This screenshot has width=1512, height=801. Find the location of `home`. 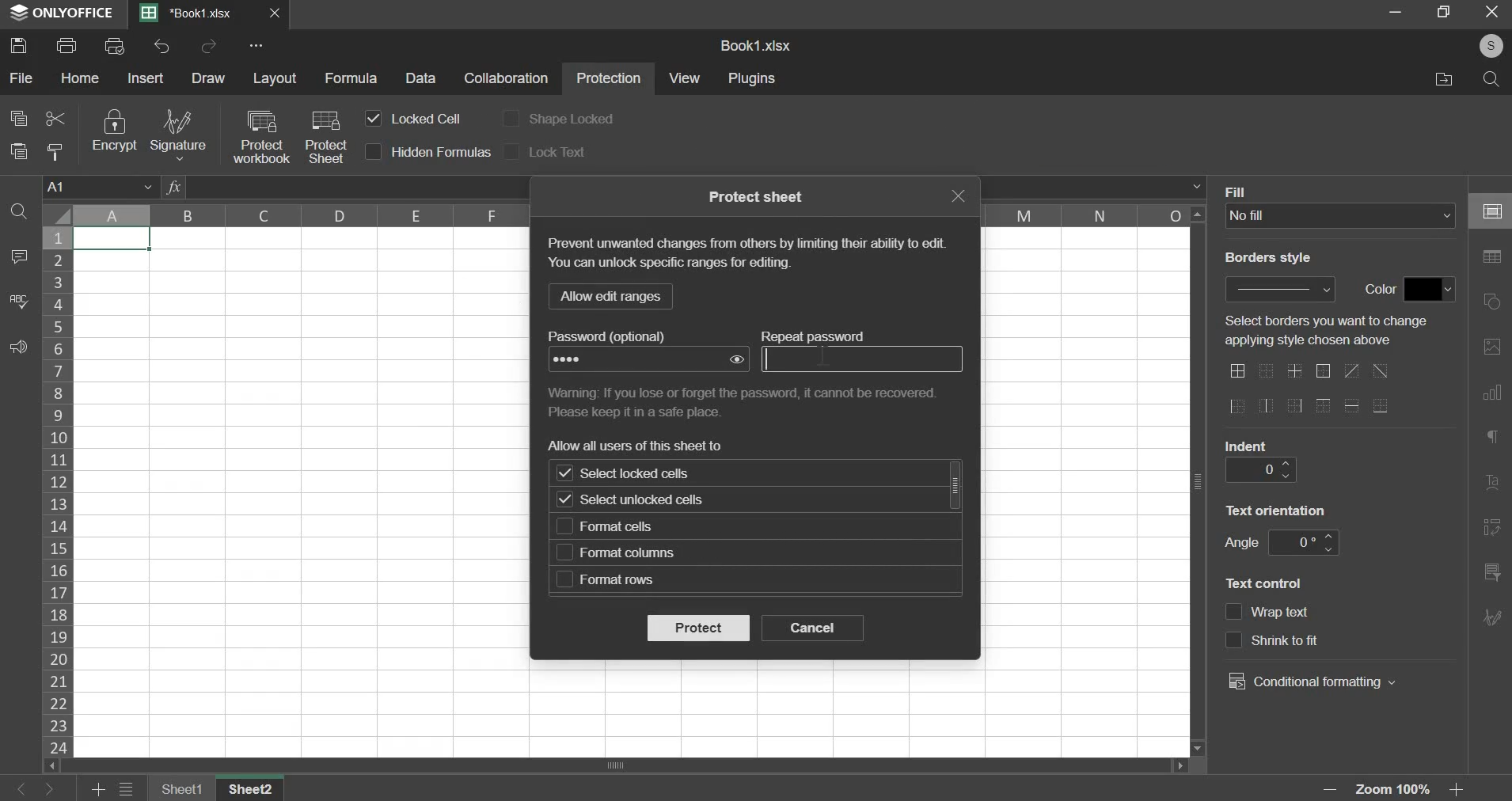

home is located at coordinates (81, 78).